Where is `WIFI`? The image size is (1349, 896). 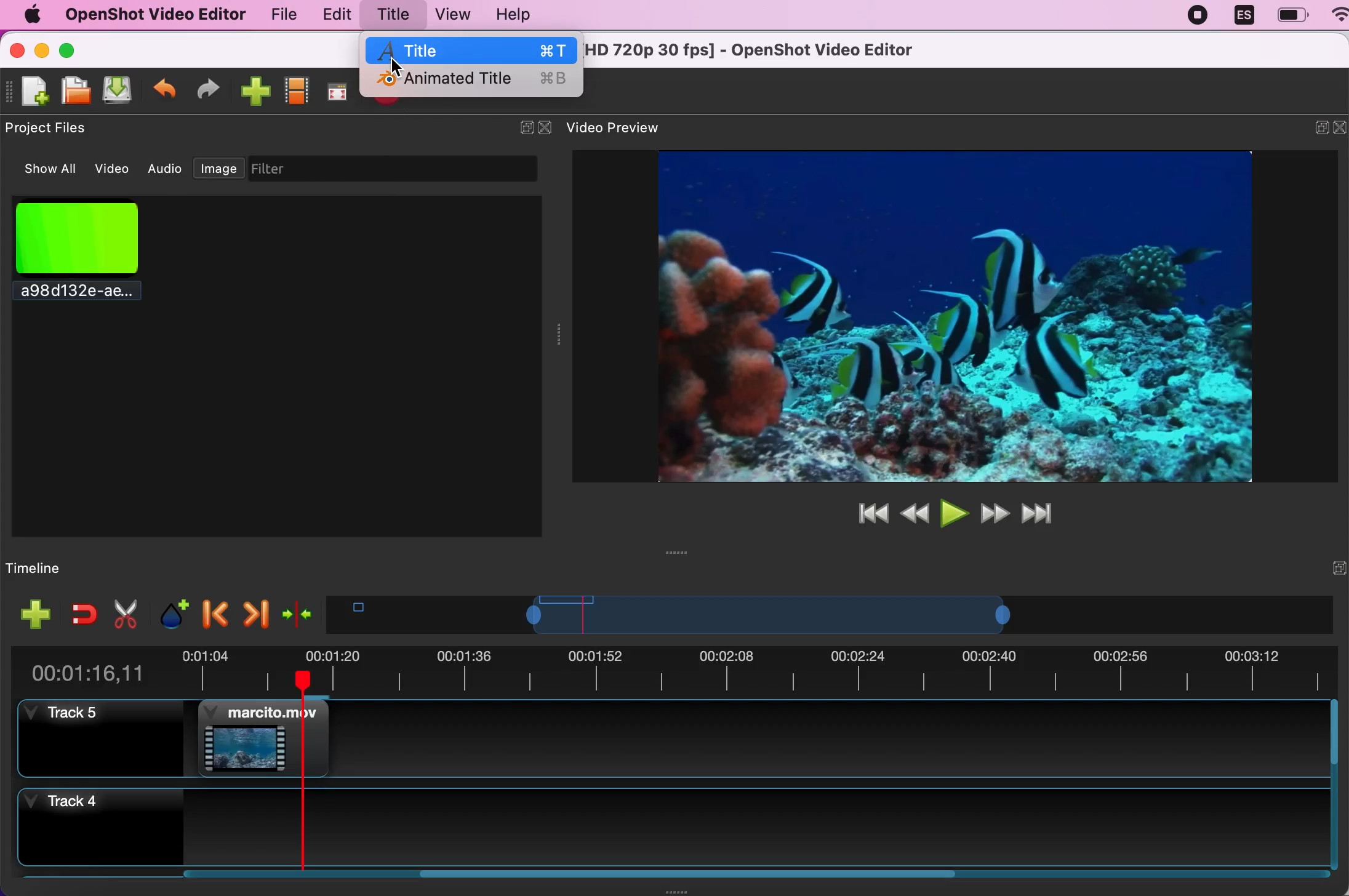
WIFI is located at coordinates (1340, 14).